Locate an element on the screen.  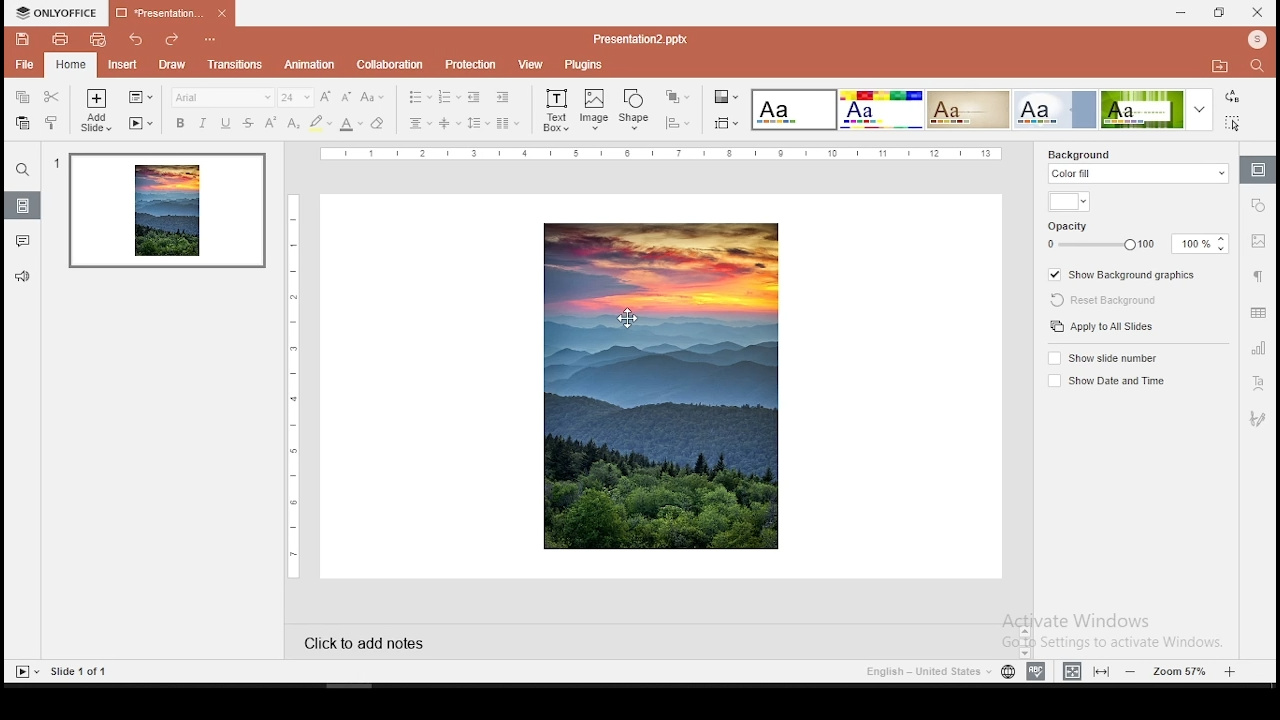
find is located at coordinates (24, 171).